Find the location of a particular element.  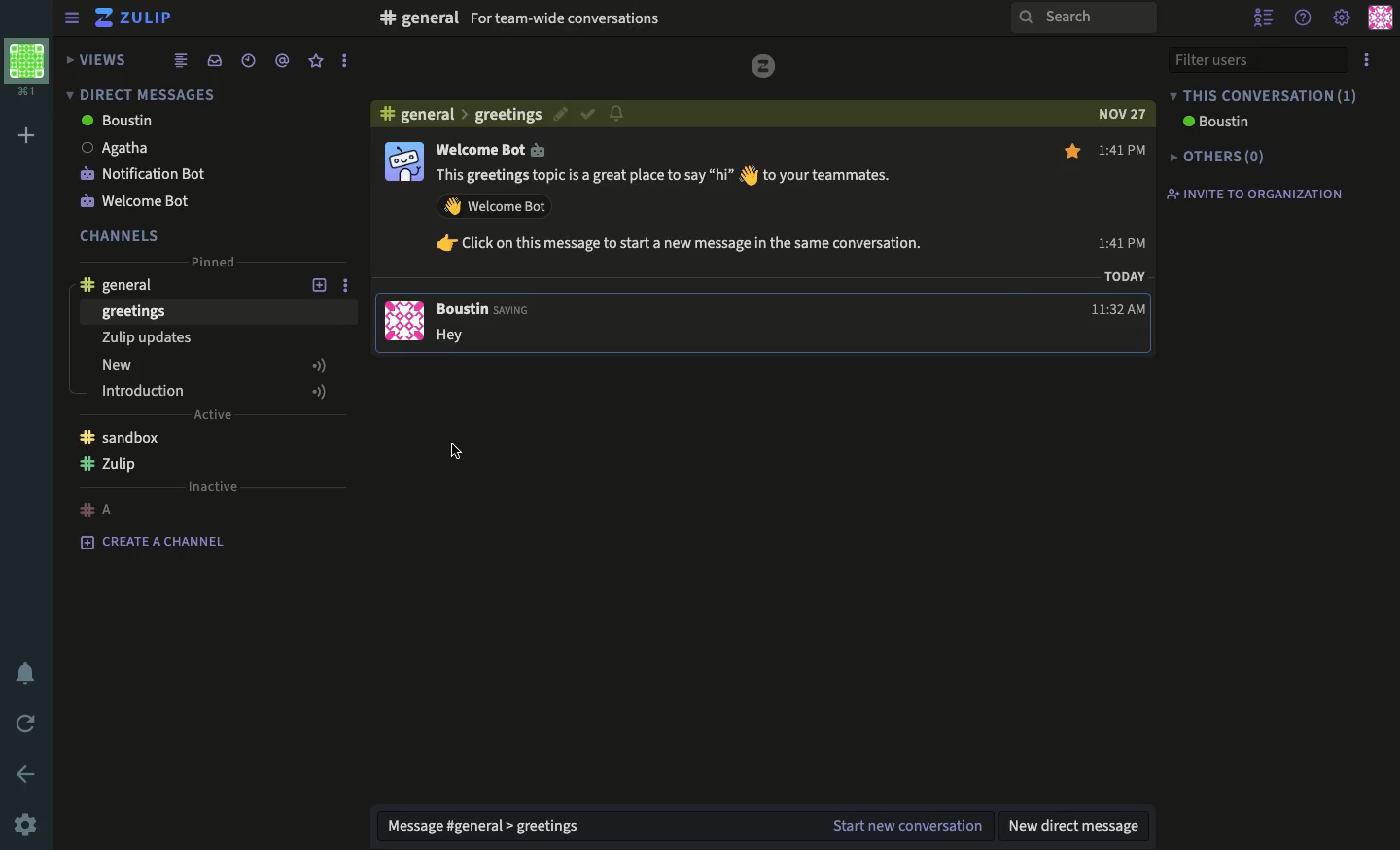

user profile is located at coordinates (1382, 18).